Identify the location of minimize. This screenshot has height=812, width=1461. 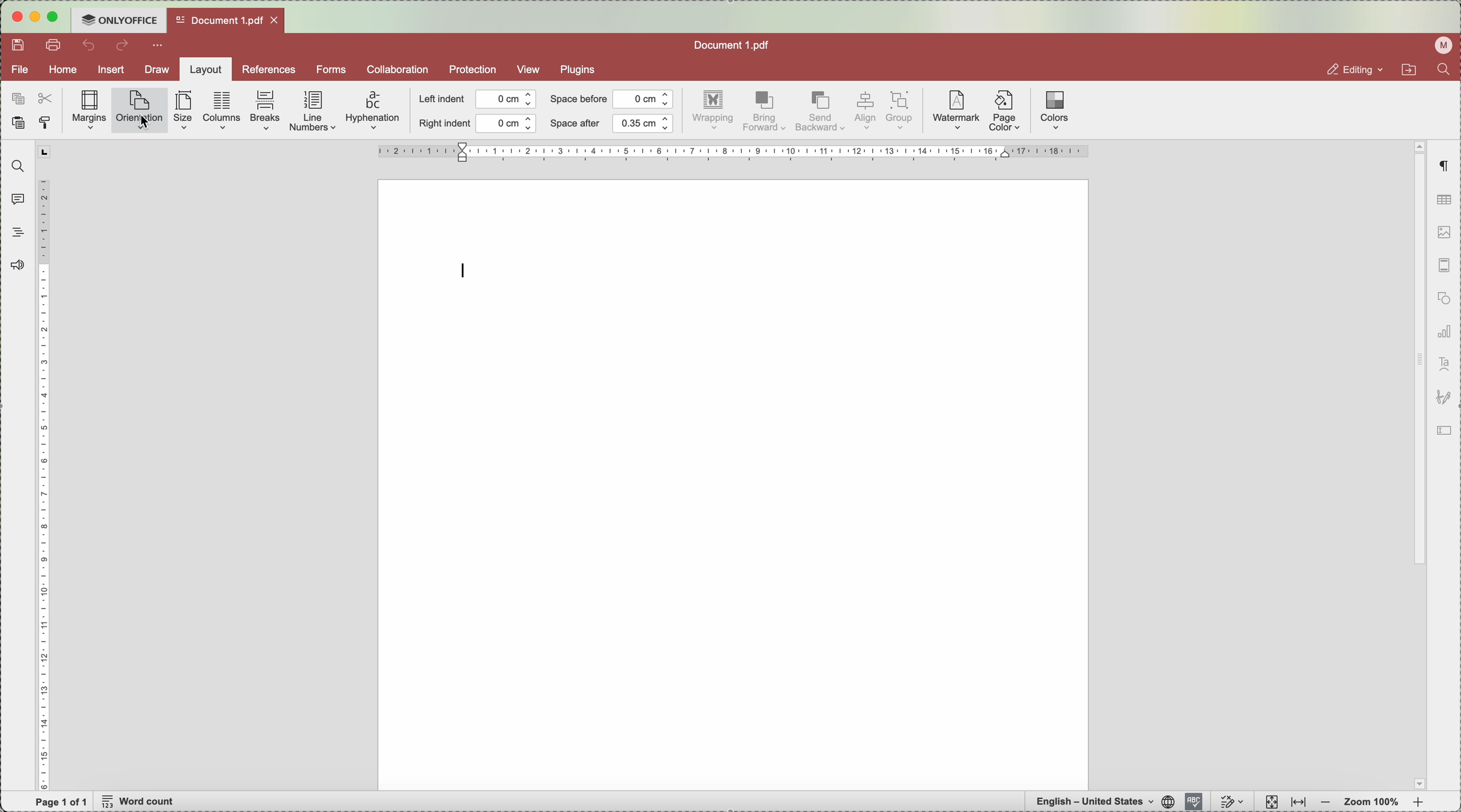
(36, 18).